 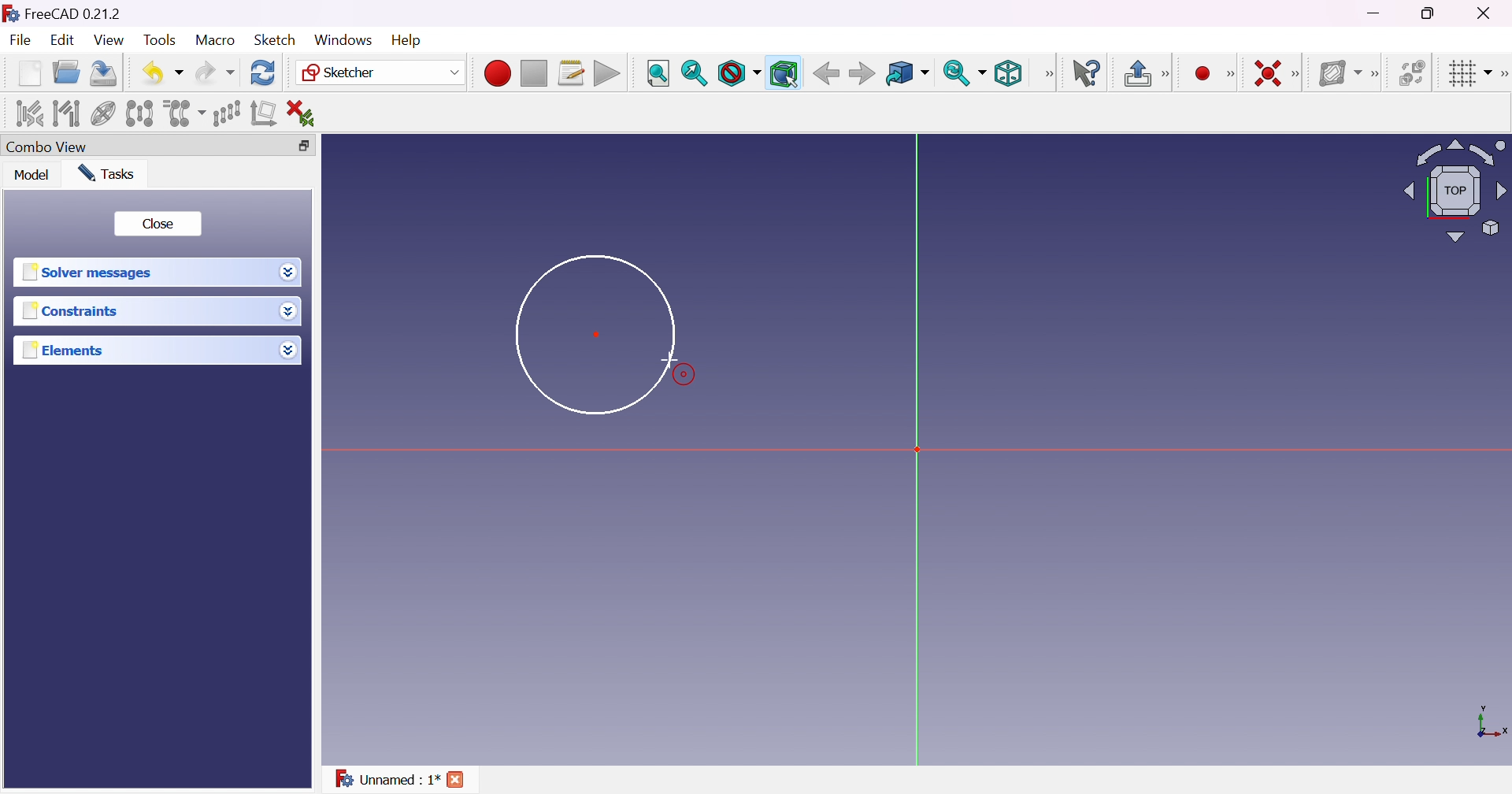 What do you see at coordinates (608, 74) in the screenshot?
I see `Execute macro` at bounding box center [608, 74].